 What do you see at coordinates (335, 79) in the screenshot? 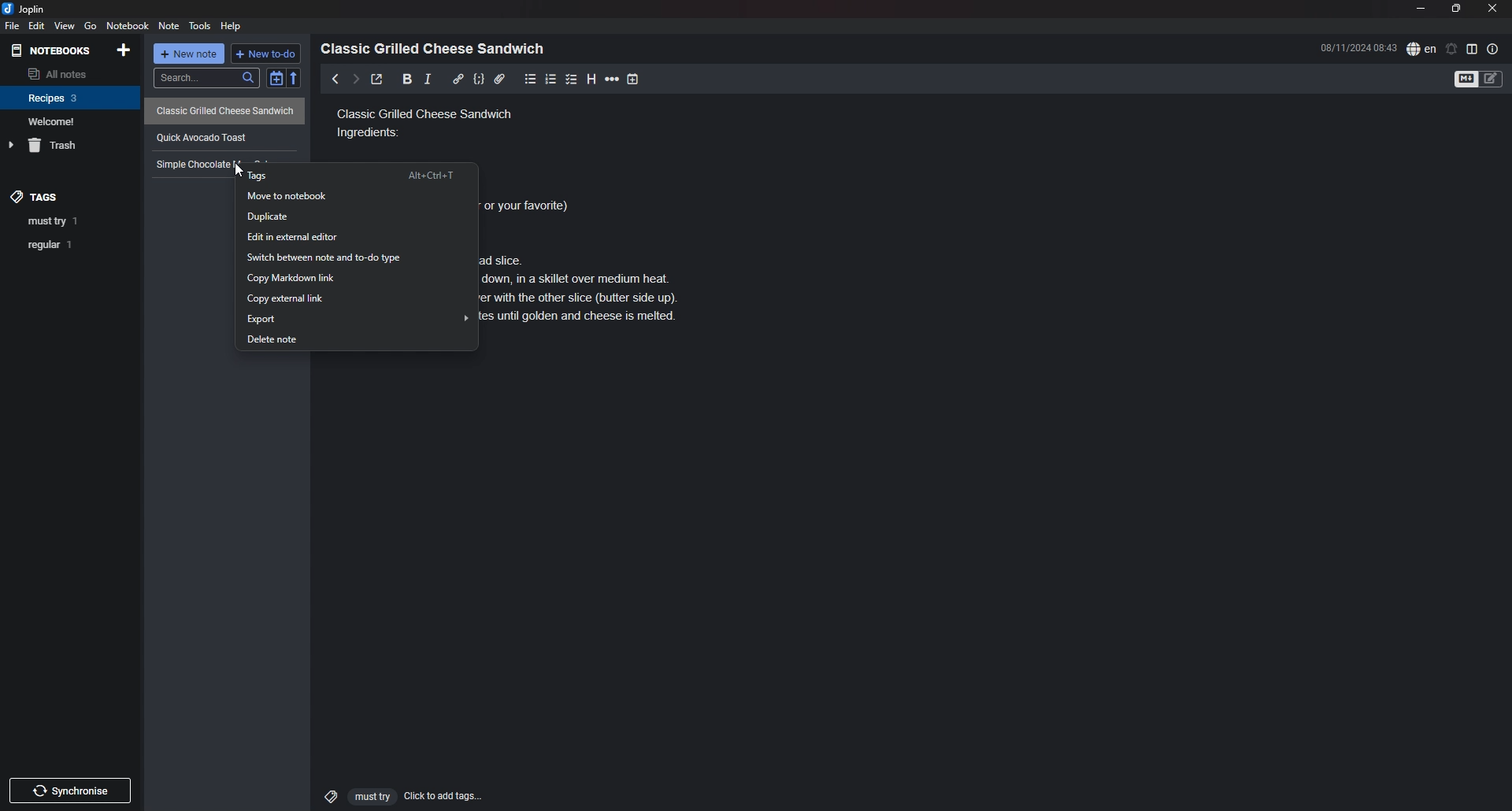
I see `previous` at bounding box center [335, 79].